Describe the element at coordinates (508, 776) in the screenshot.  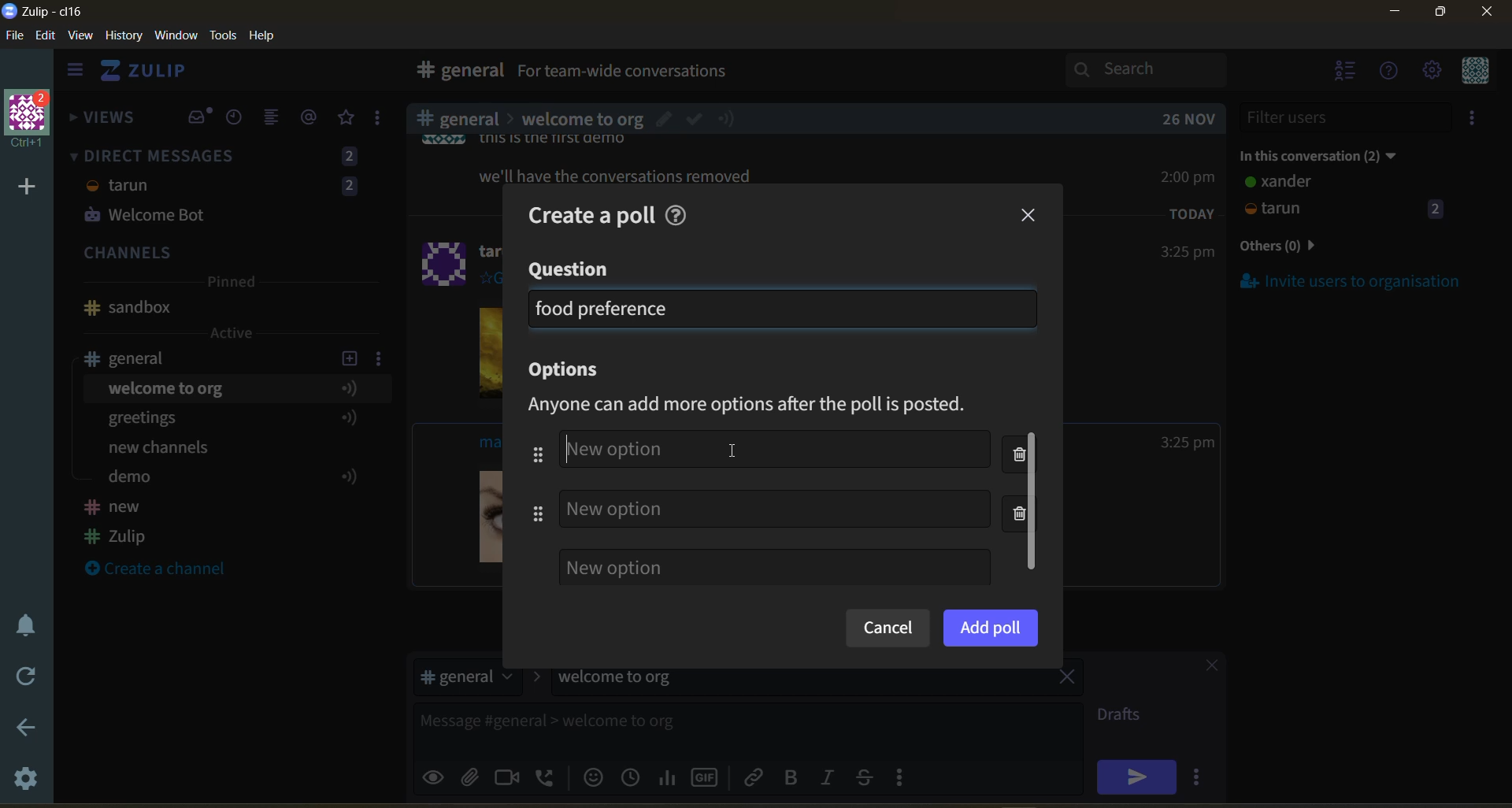
I see `add video call` at that location.